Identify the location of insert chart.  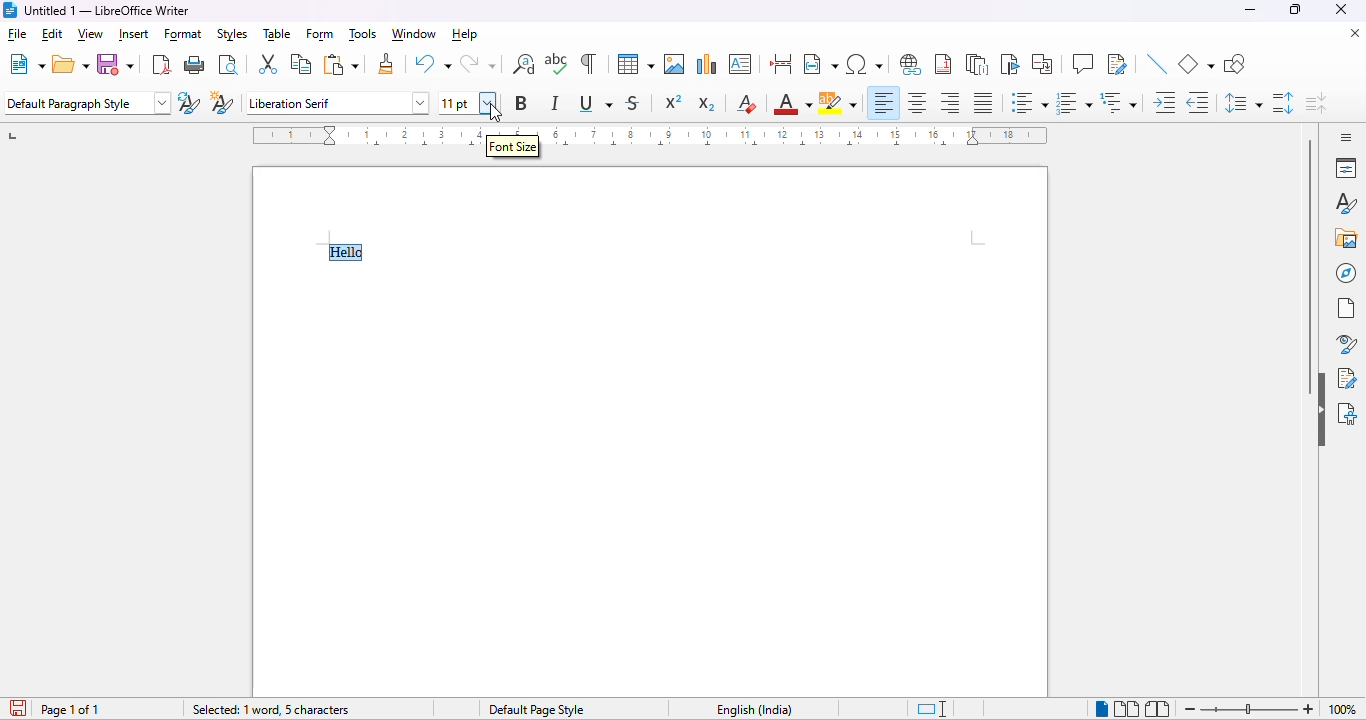
(707, 64).